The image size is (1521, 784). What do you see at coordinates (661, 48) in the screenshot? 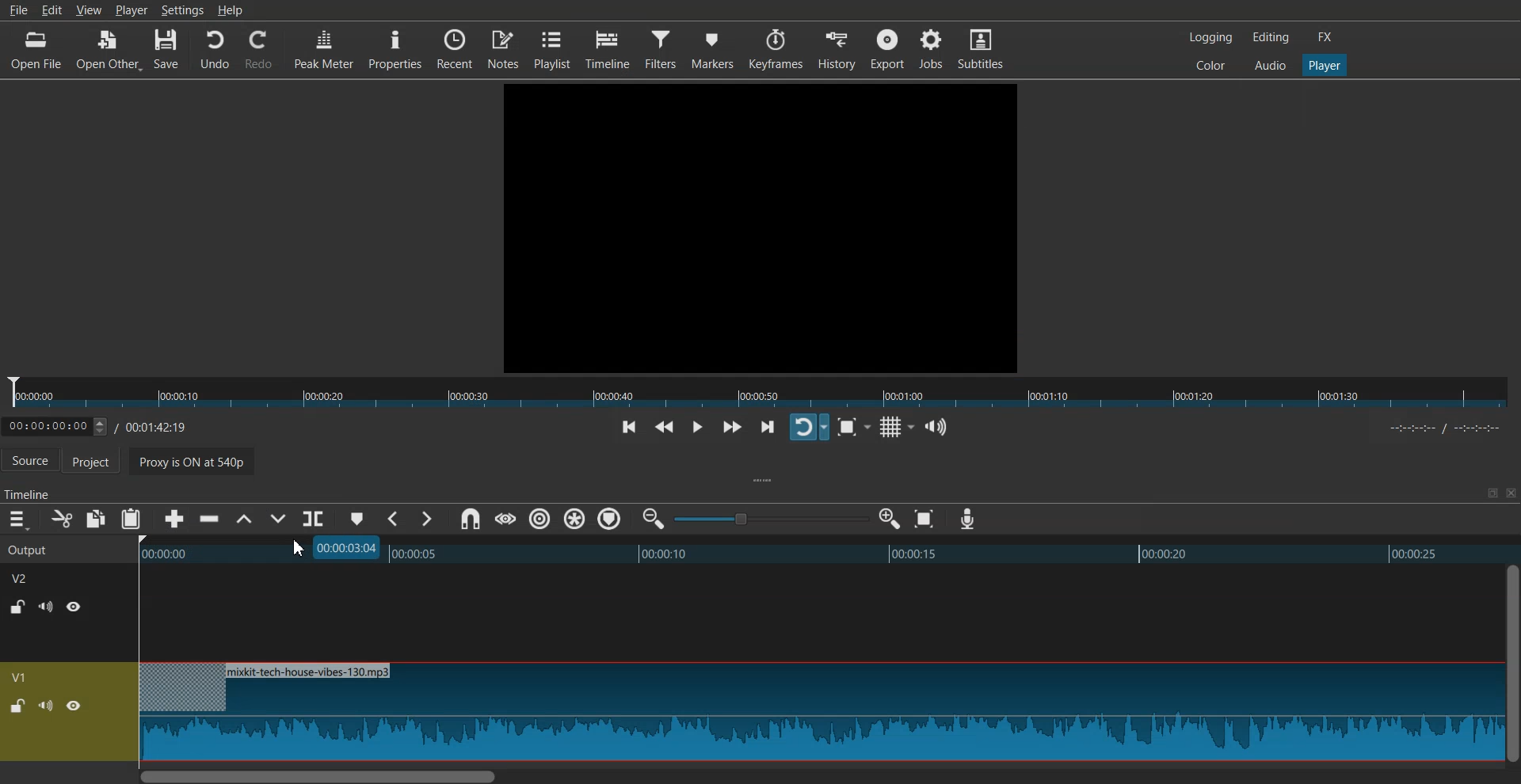
I see `Filters` at bounding box center [661, 48].